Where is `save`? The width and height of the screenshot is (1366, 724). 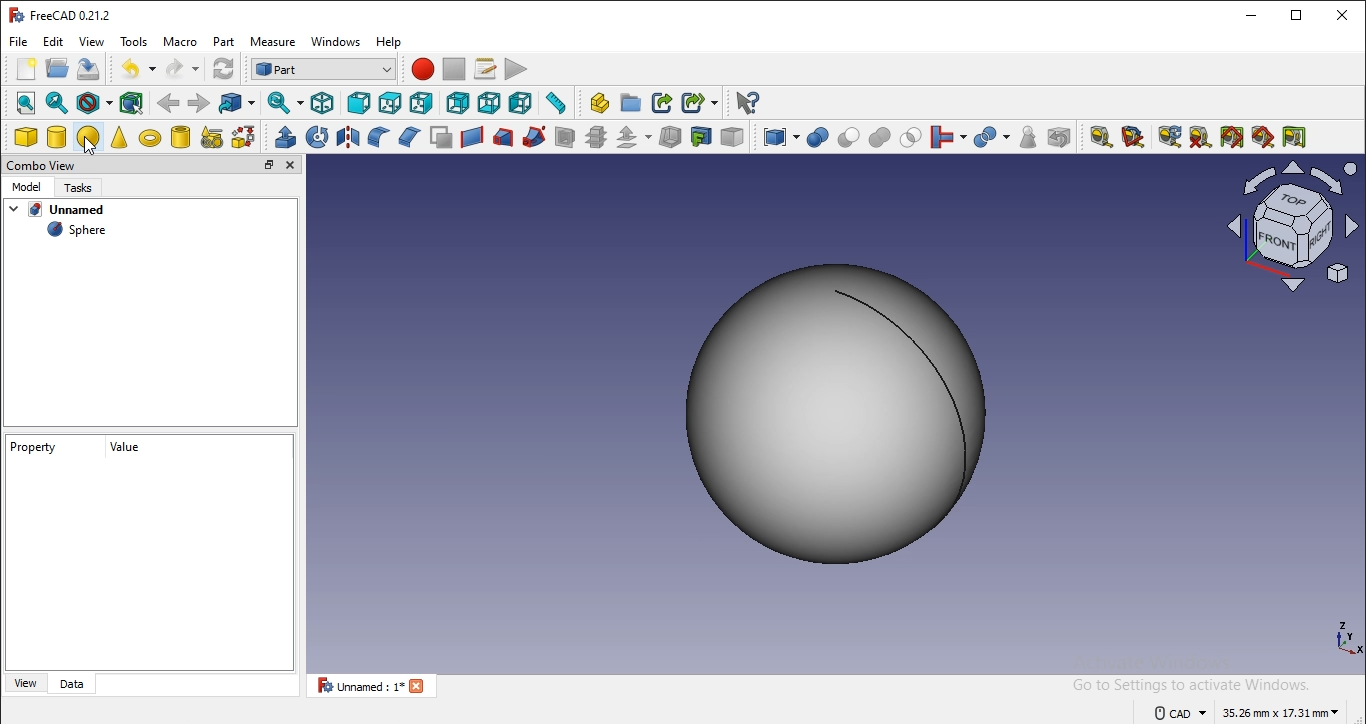
save is located at coordinates (58, 67).